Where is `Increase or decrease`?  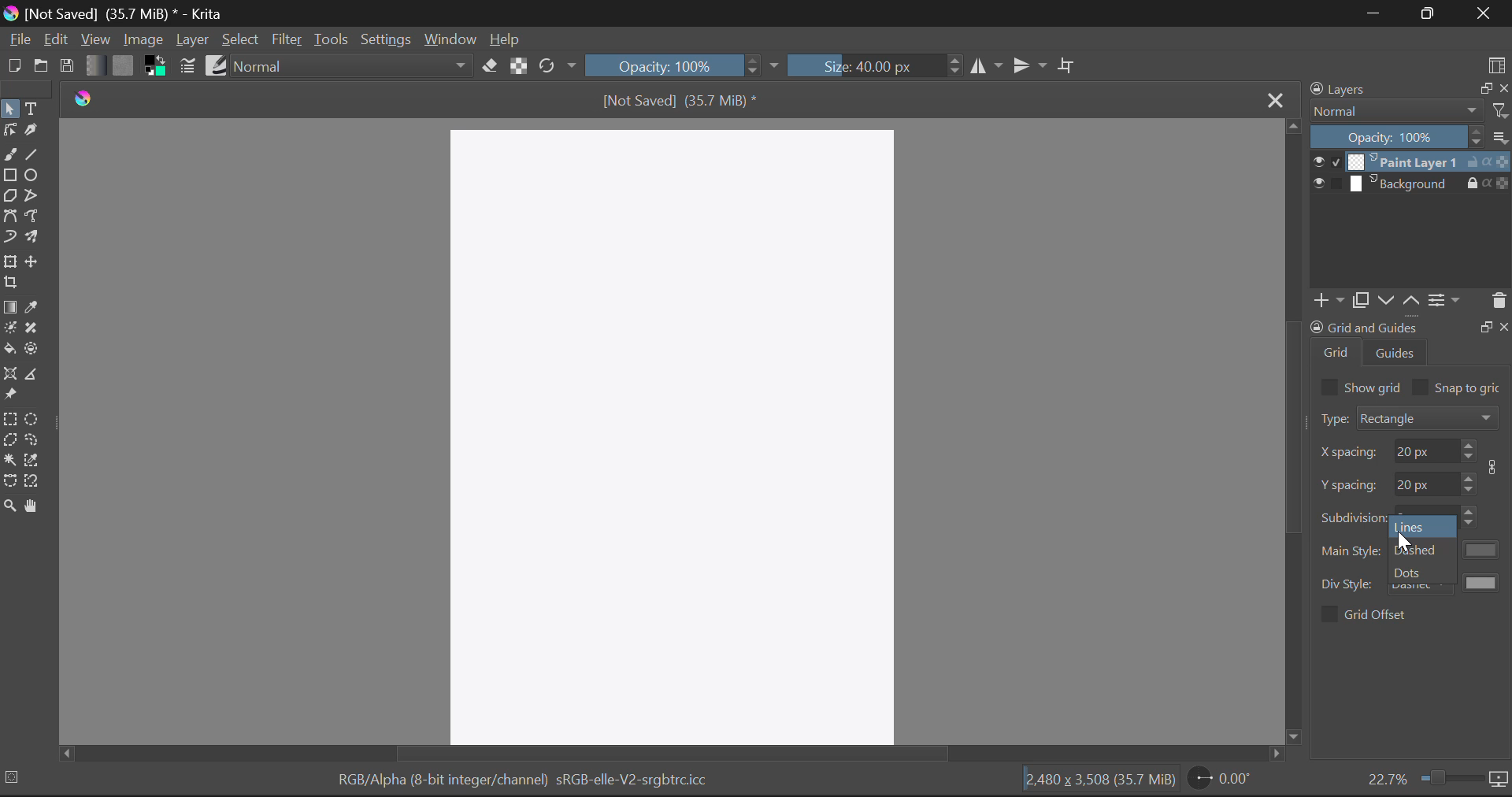 Increase or decrease is located at coordinates (1471, 517).